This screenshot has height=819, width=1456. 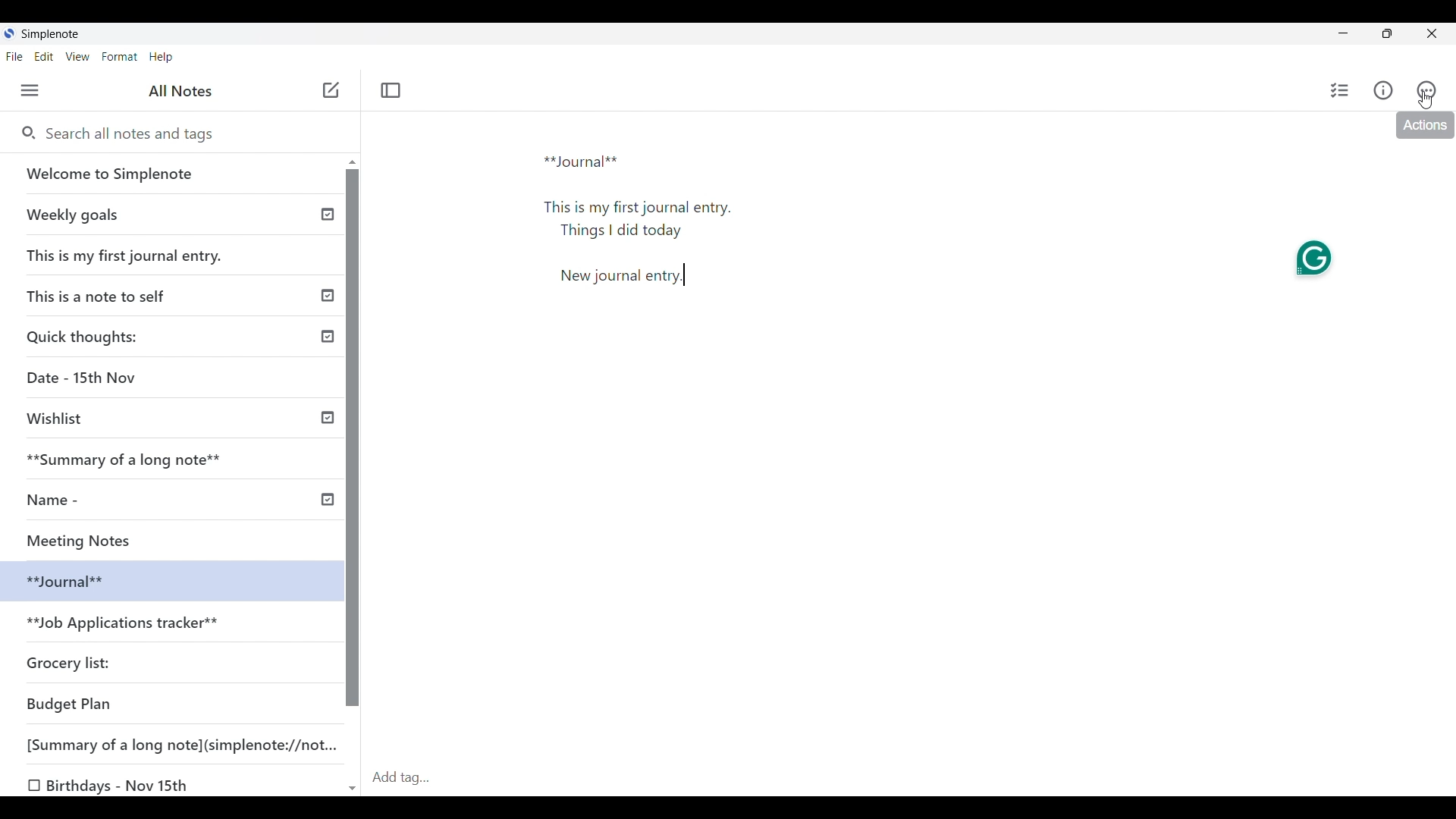 What do you see at coordinates (1426, 90) in the screenshot?
I see `Actions` at bounding box center [1426, 90].